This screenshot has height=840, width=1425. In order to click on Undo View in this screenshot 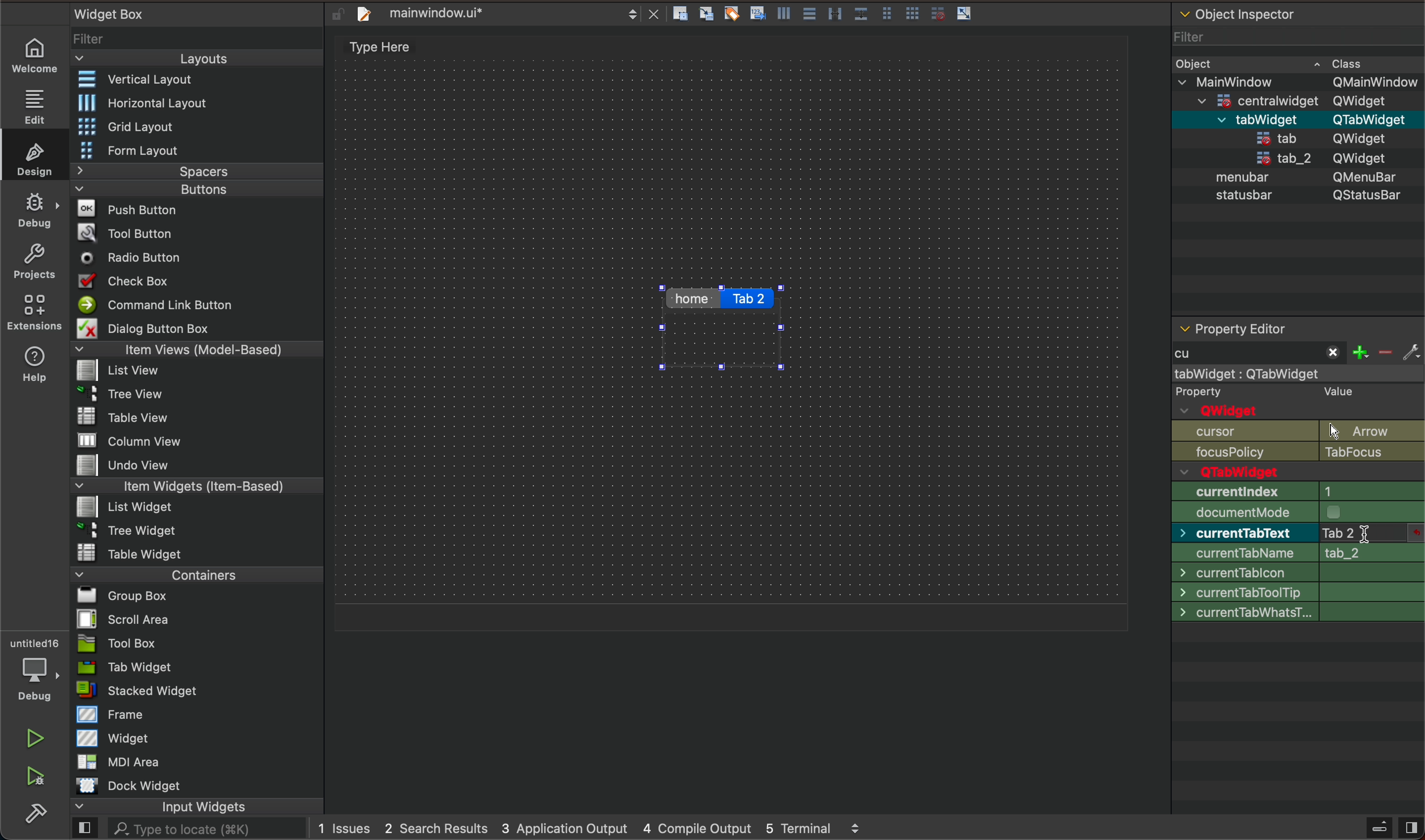, I will do `click(117, 466)`.